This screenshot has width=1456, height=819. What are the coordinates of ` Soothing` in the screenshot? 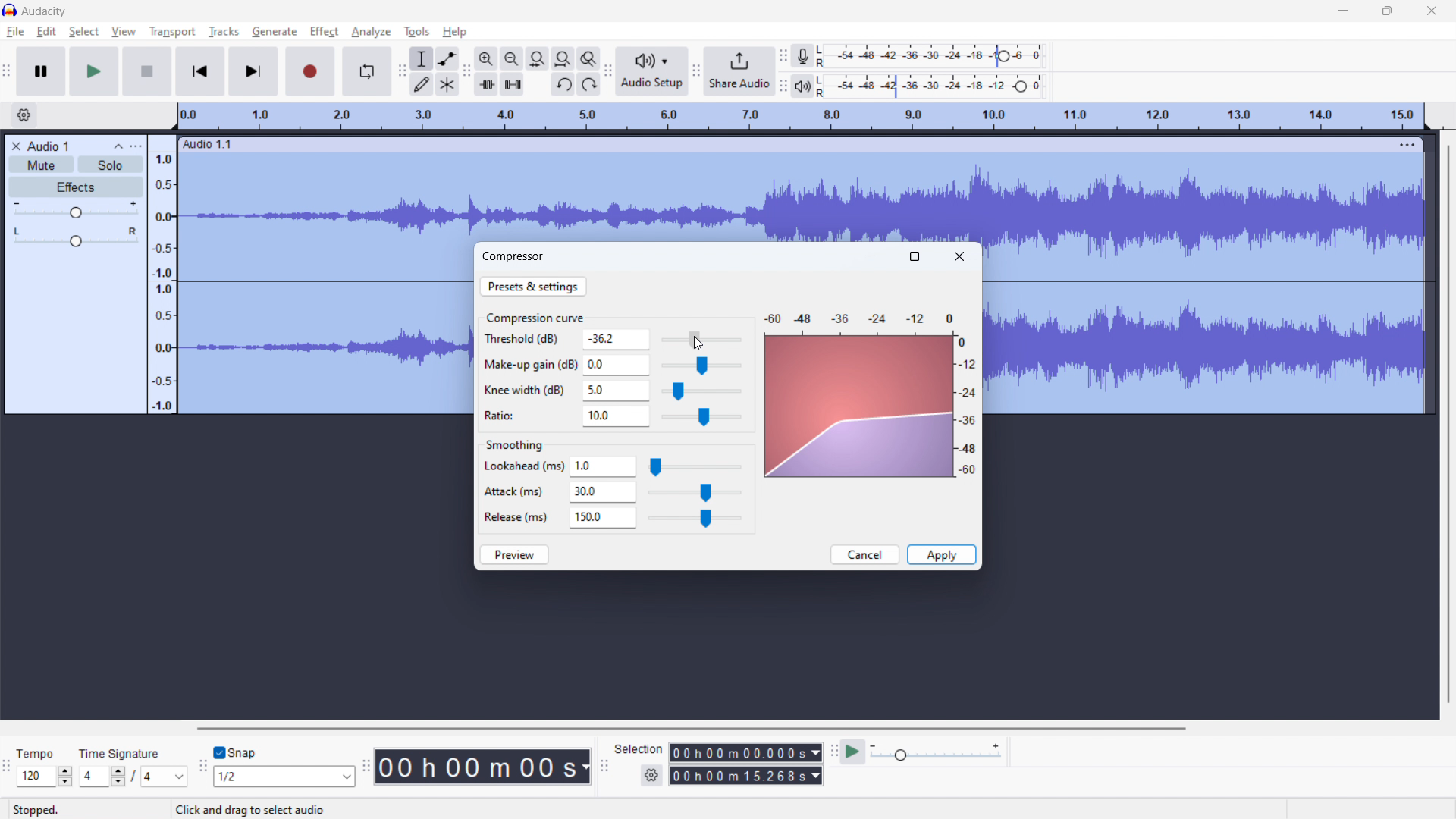 It's located at (522, 442).